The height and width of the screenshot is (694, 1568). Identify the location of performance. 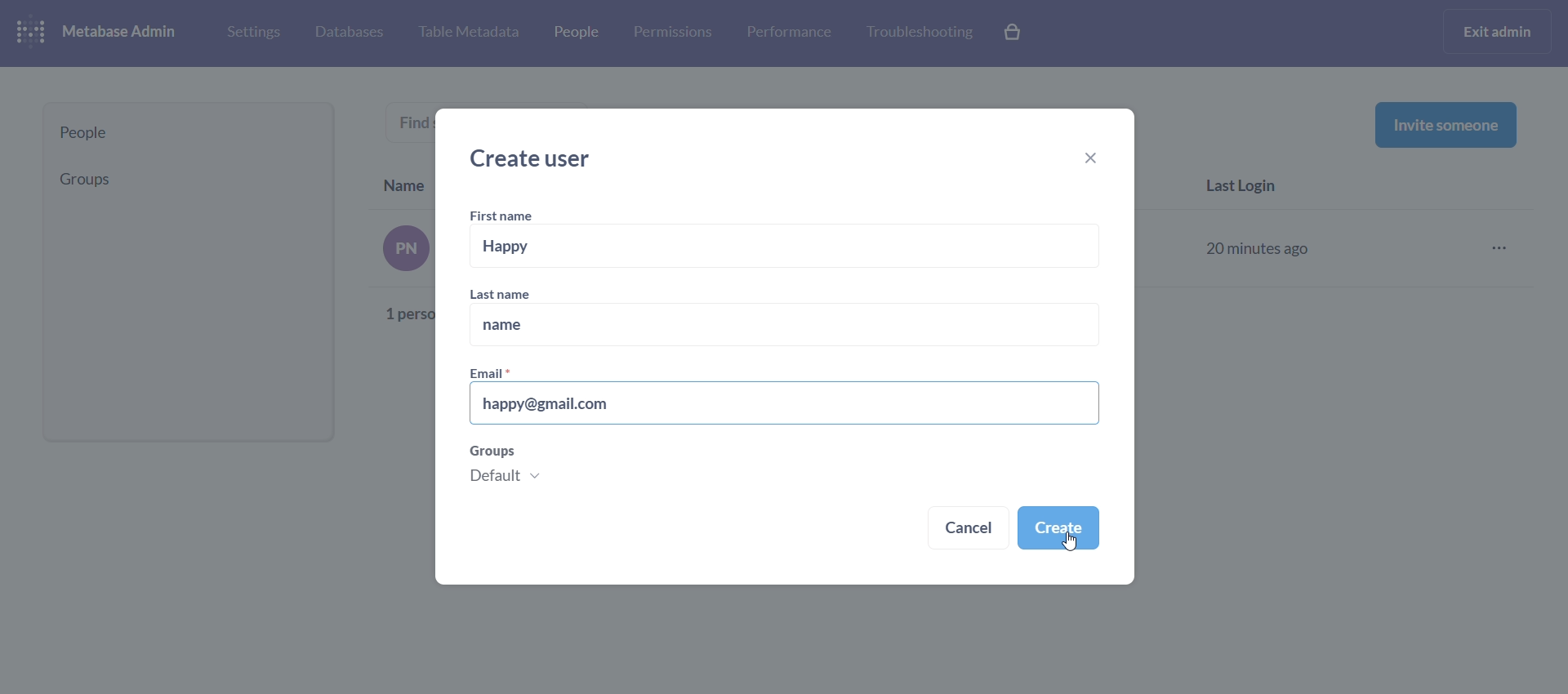
(789, 31).